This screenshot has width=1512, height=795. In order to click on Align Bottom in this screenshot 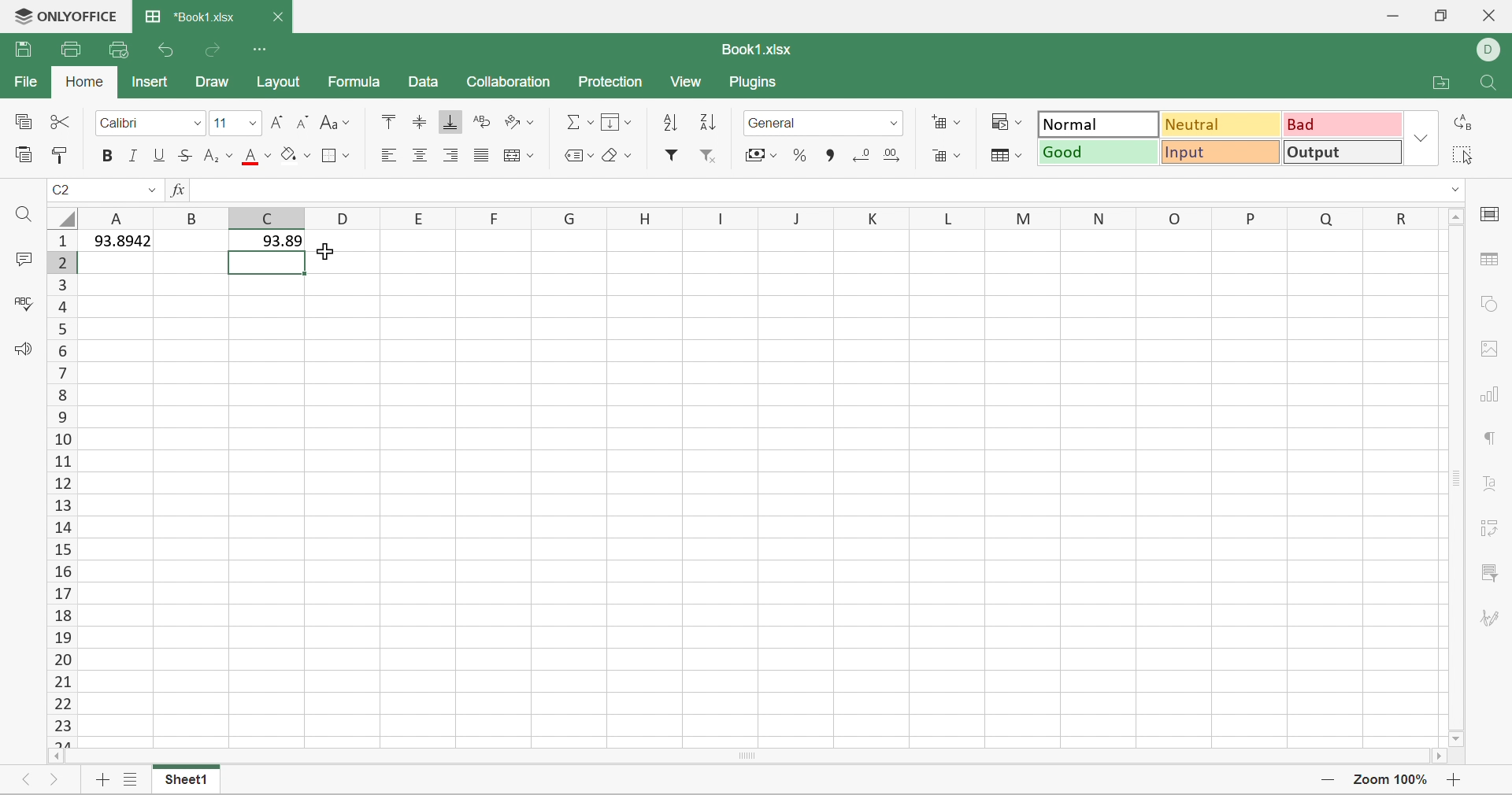, I will do `click(450, 122)`.